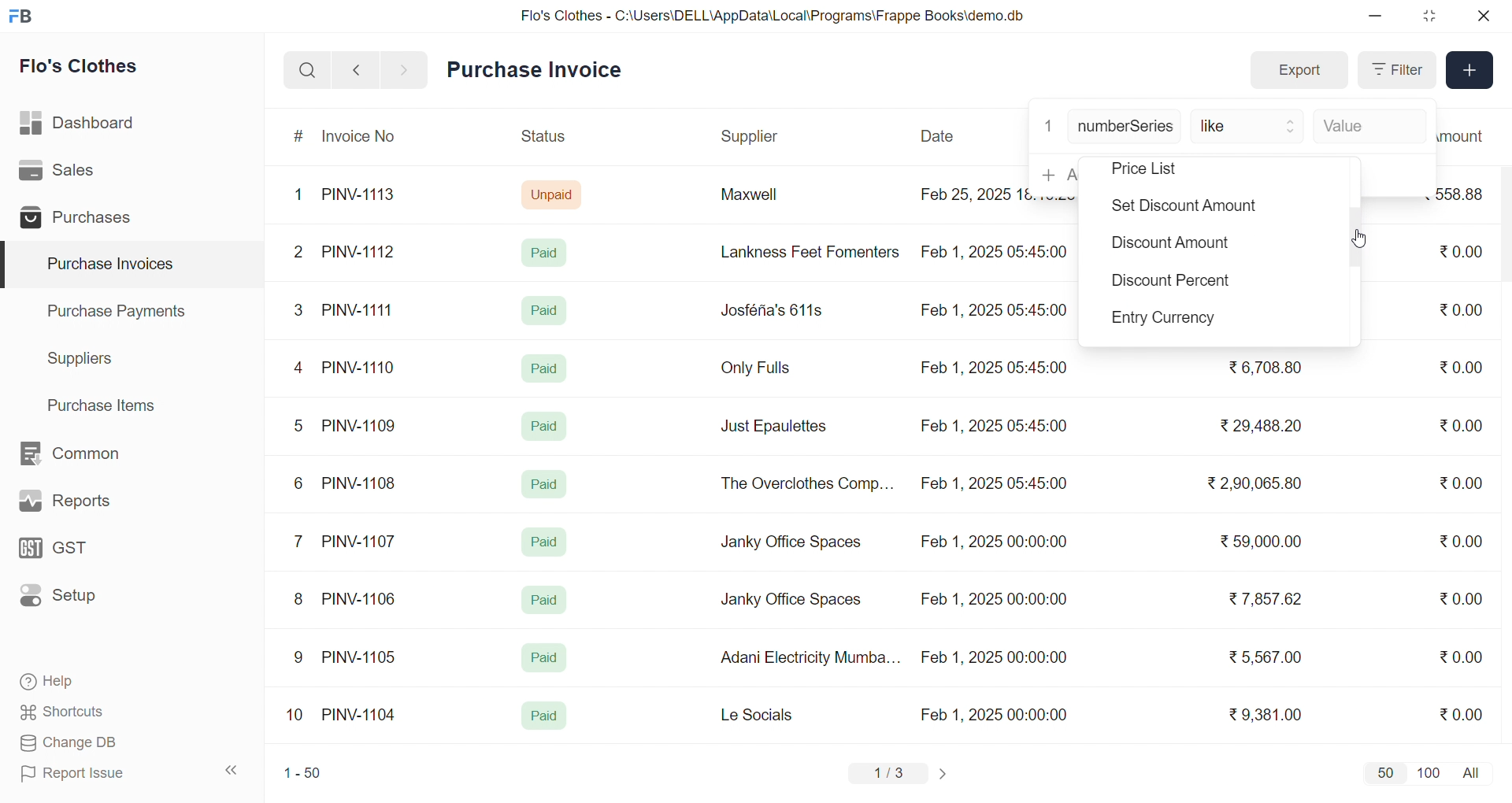 The image size is (1512, 803). What do you see at coordinates (1377, 17) in the screenshot?
I see `minimize` at bounding box center [1377, 17].